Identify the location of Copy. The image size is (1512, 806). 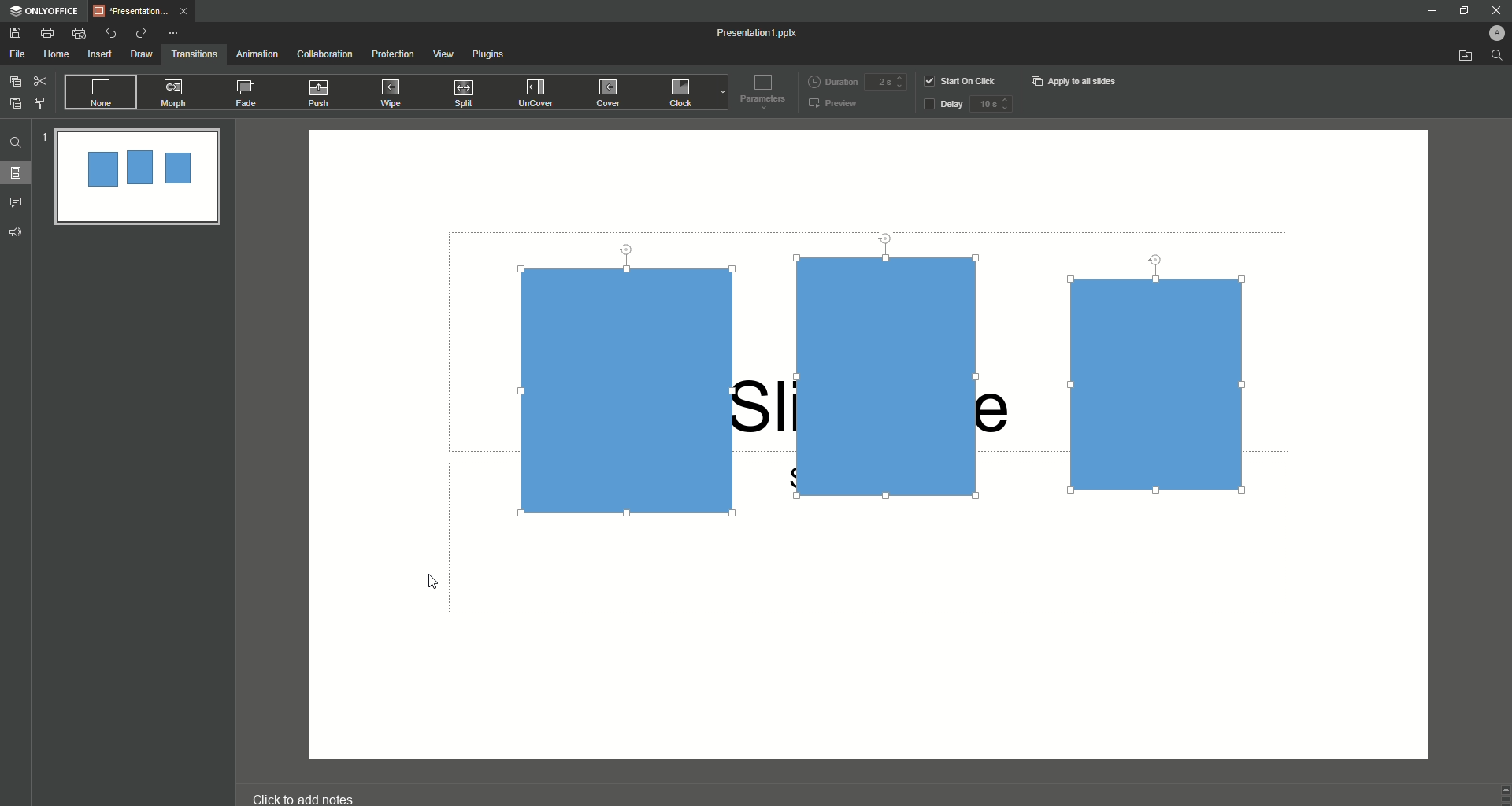
(15, 81).